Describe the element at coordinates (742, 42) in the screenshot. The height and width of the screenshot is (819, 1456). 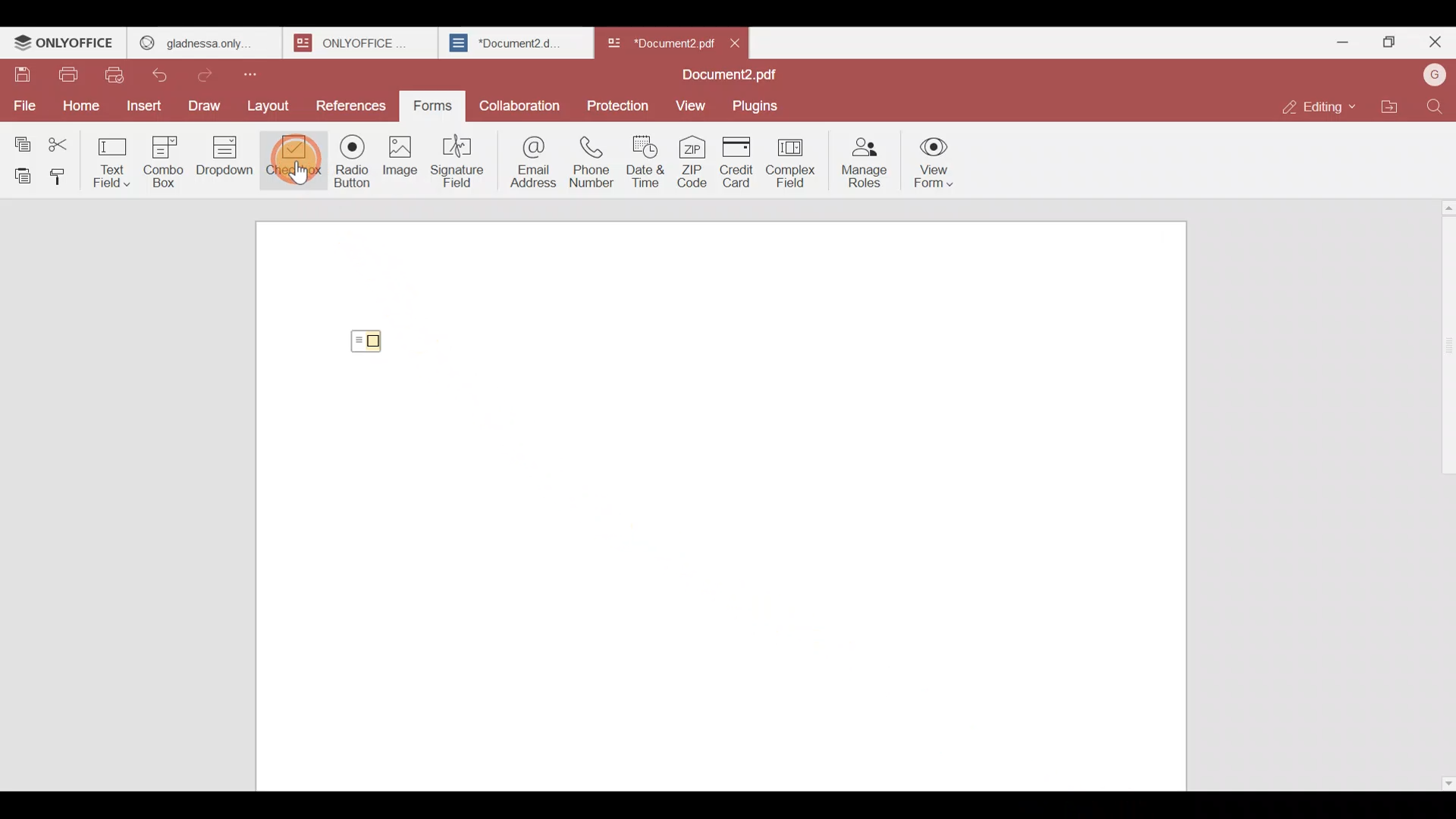
I see `Close` at that location.